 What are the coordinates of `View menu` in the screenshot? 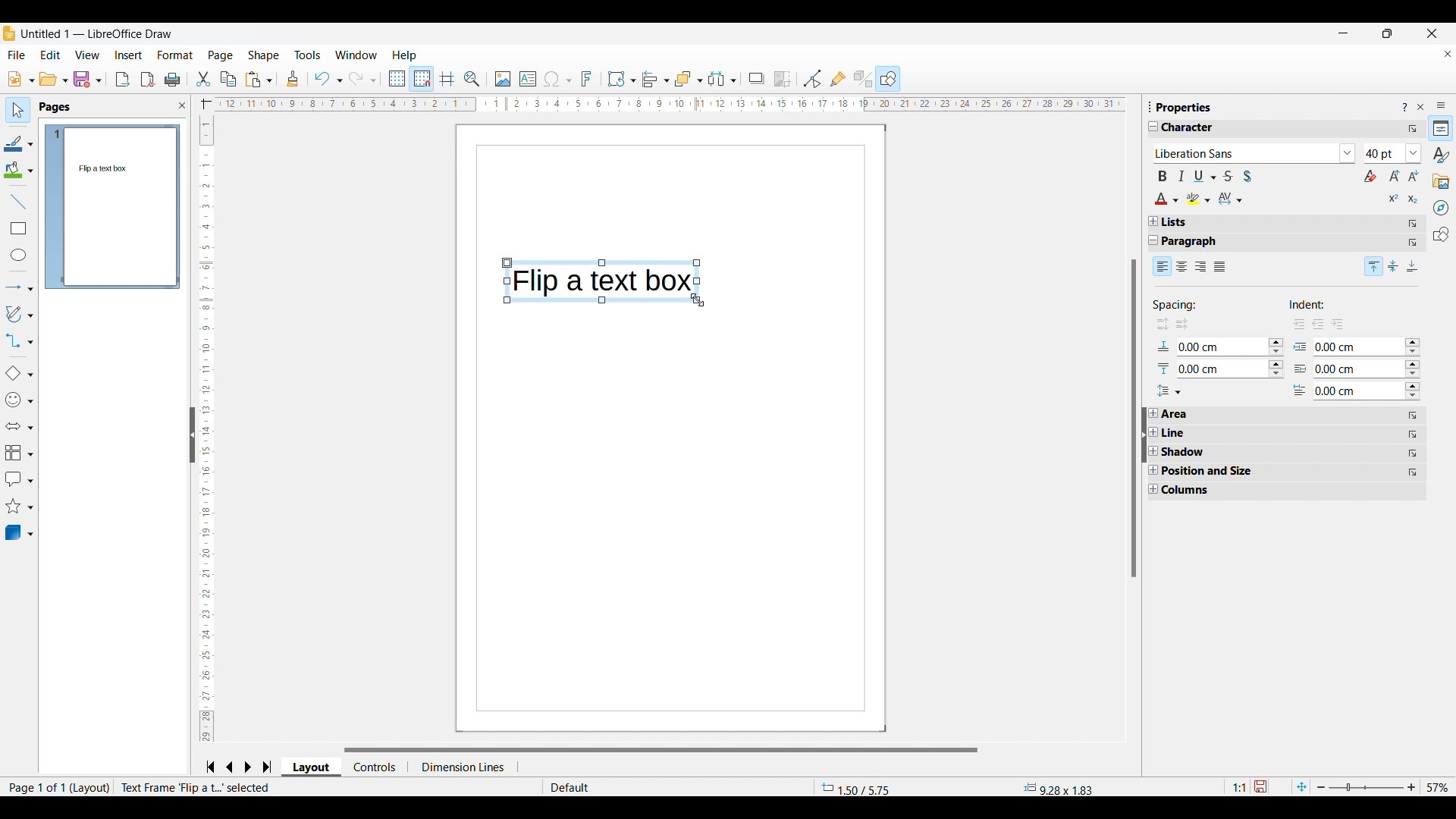 It's located at (87, 55).